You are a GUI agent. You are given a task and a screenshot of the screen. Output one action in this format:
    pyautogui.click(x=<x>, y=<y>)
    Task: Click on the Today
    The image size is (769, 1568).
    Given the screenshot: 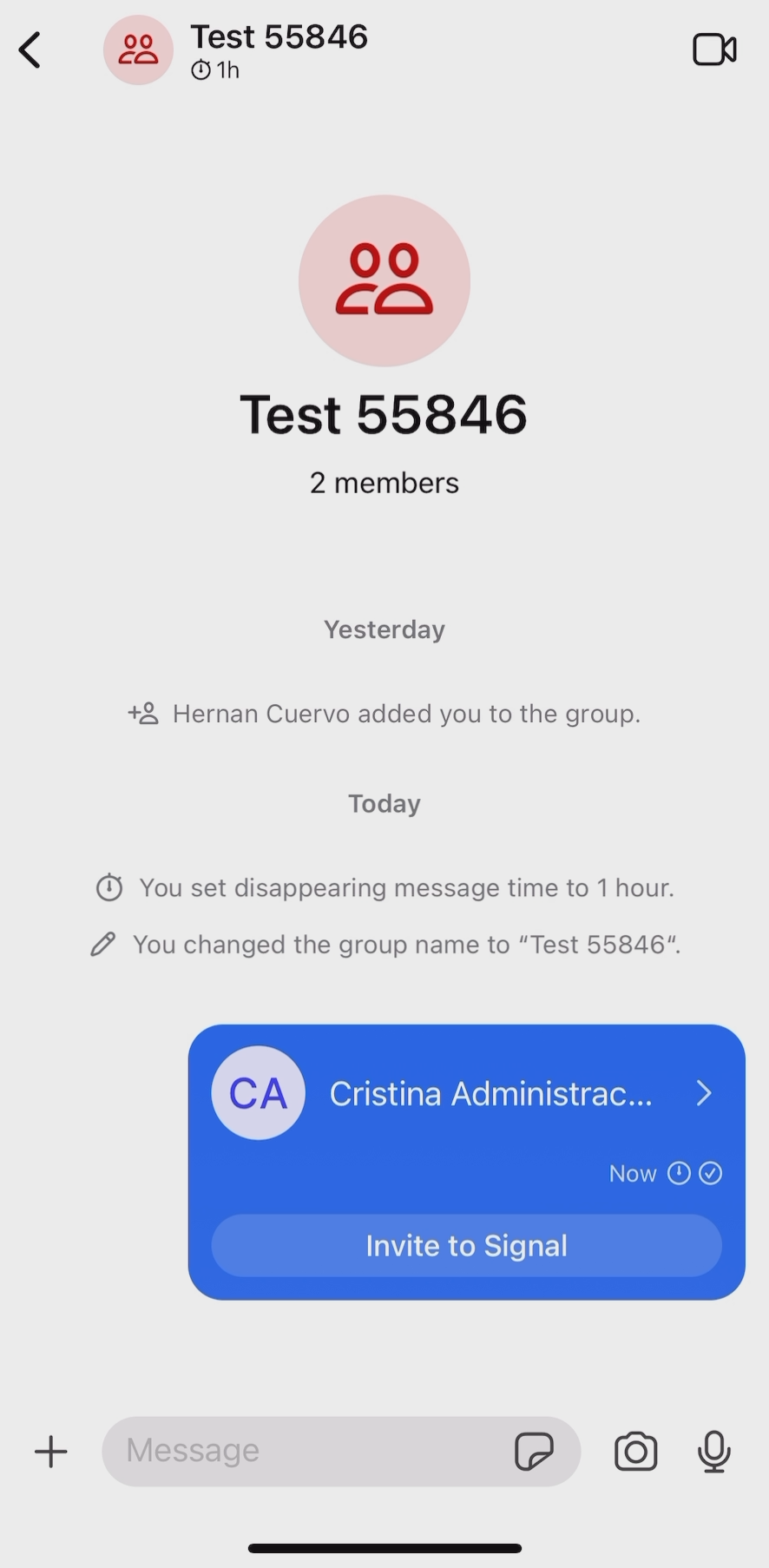 What is the action you would take?
    pyautogui.click(x=385, y=797)
    